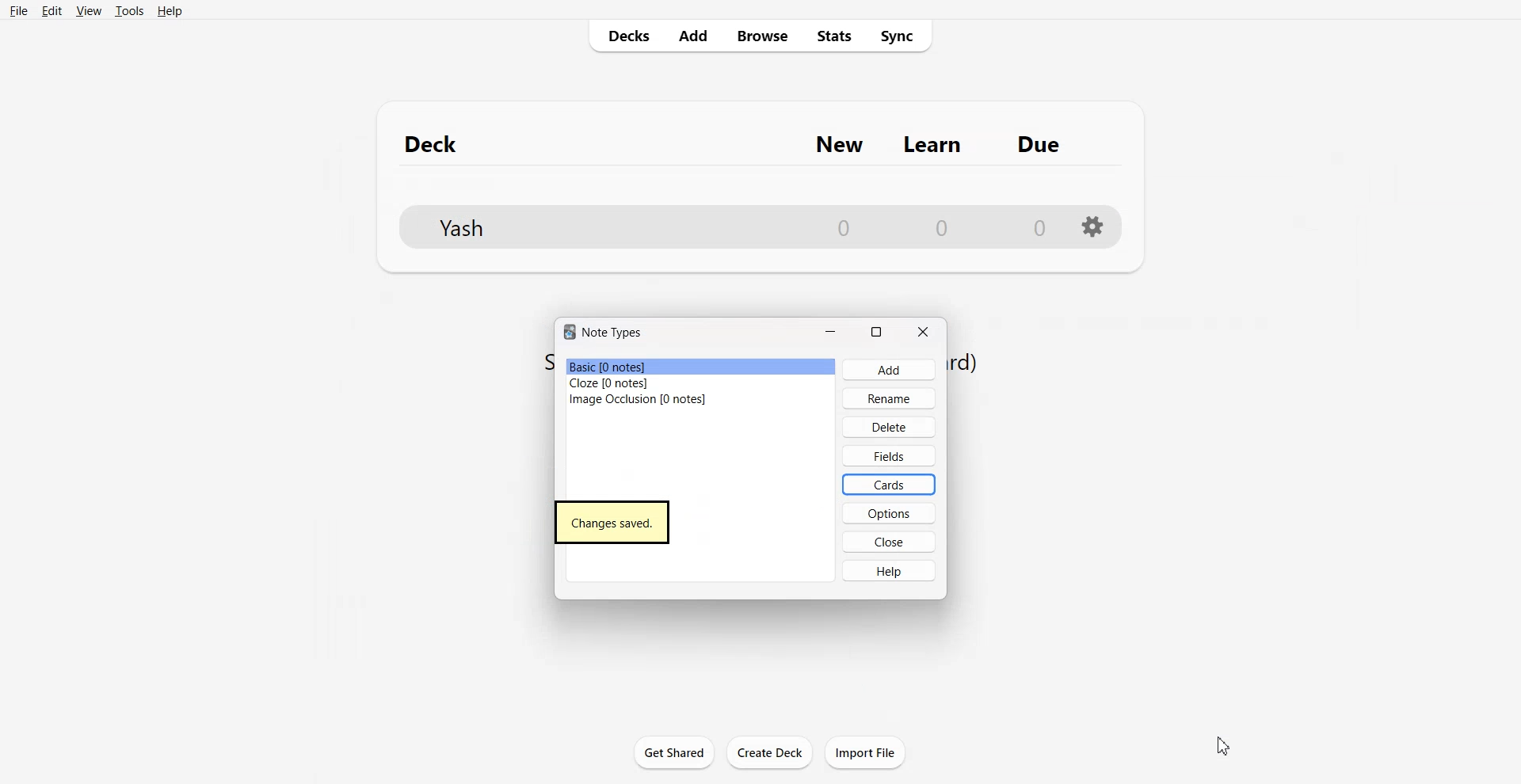 This screenshot has height=784, width=1521. What do you see at coordinates (1093, 226) in the screenshot?
I see `Setting` at bounding box center [1093, 226].